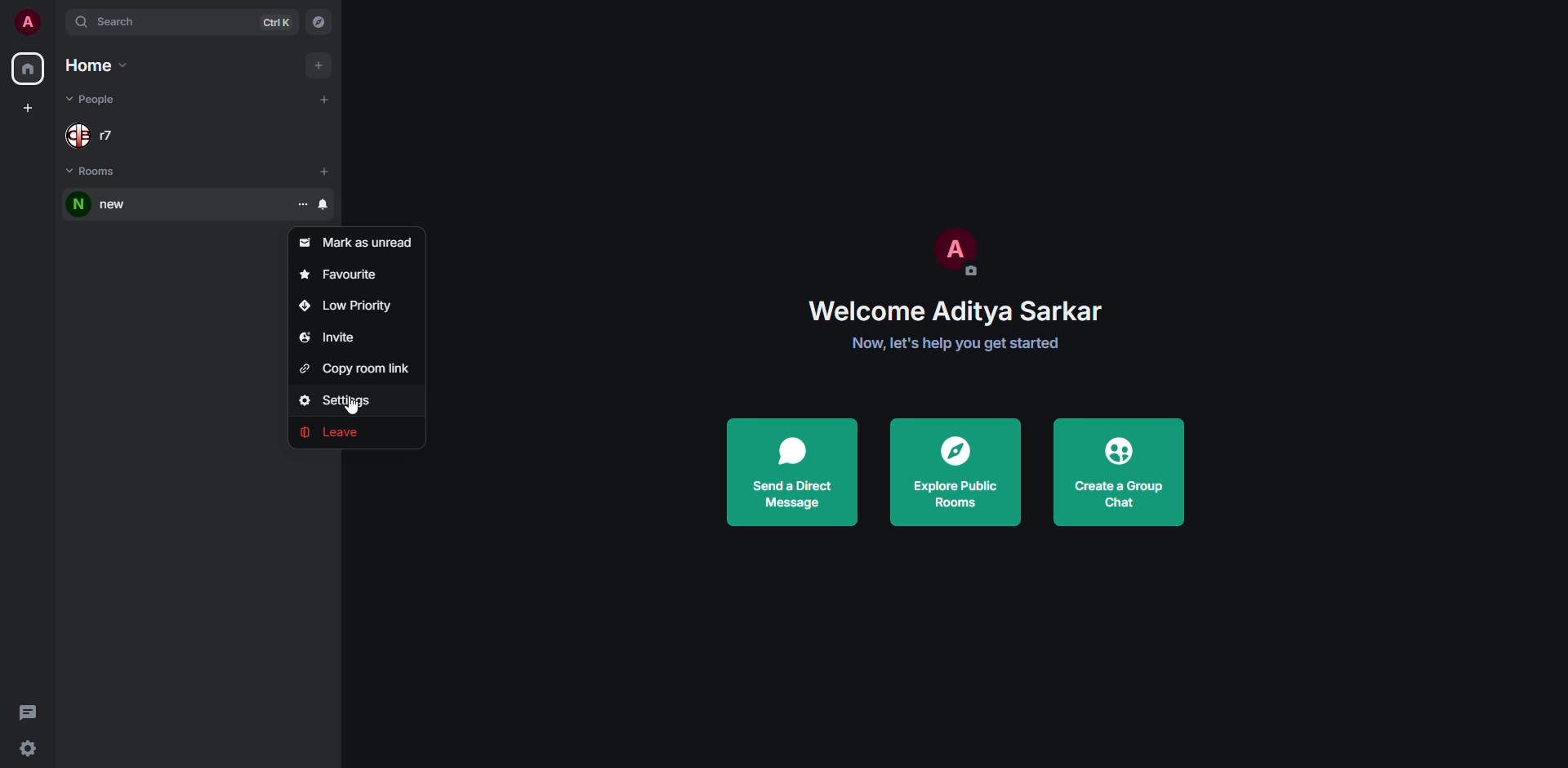 Image resolution: width=1568 pixels, height=768 pixels. I want to click on low priority, so click(345, 301).